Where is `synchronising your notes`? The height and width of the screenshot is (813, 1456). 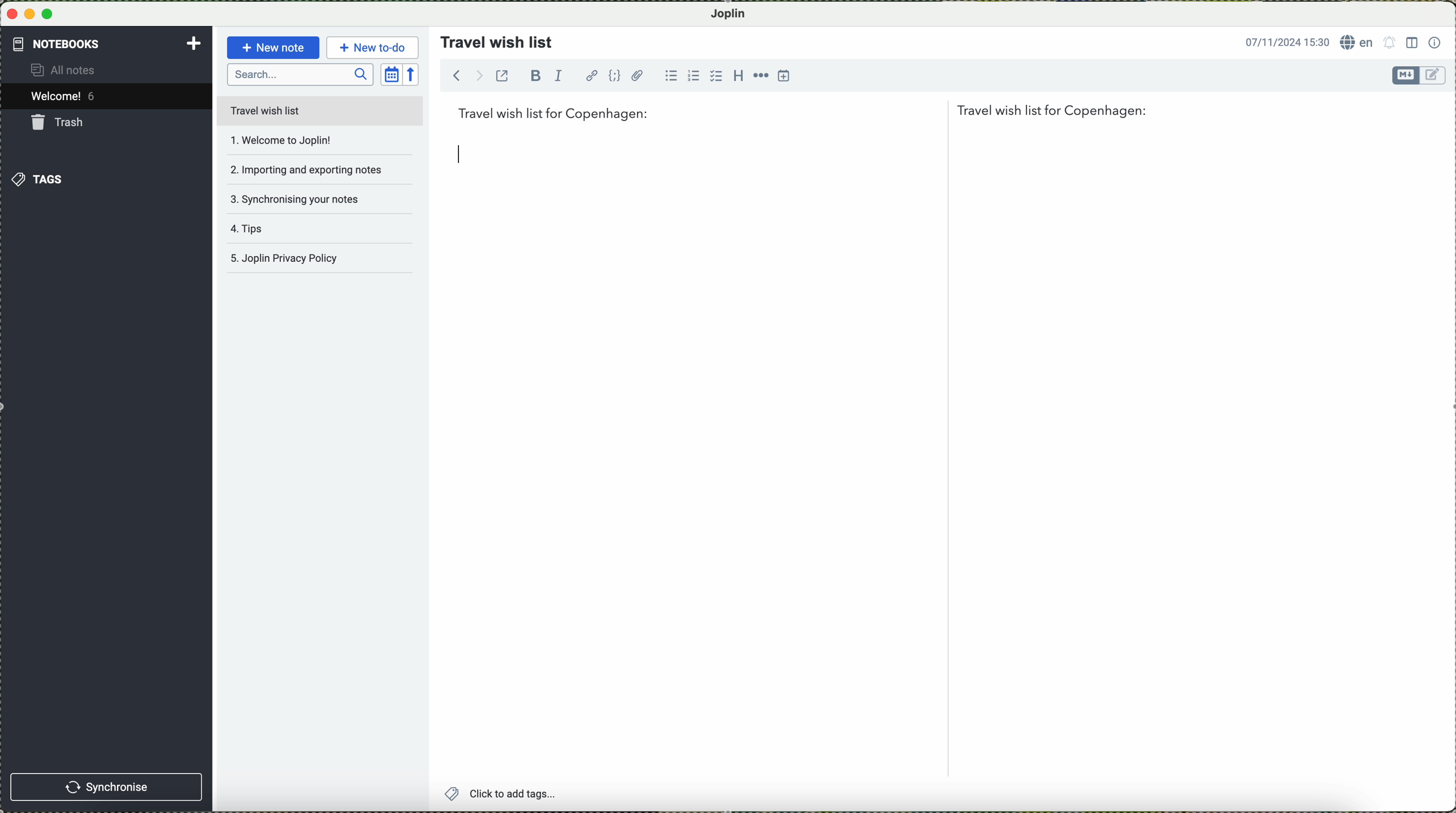
synchronising your notes is located at coordinates (304, 198).